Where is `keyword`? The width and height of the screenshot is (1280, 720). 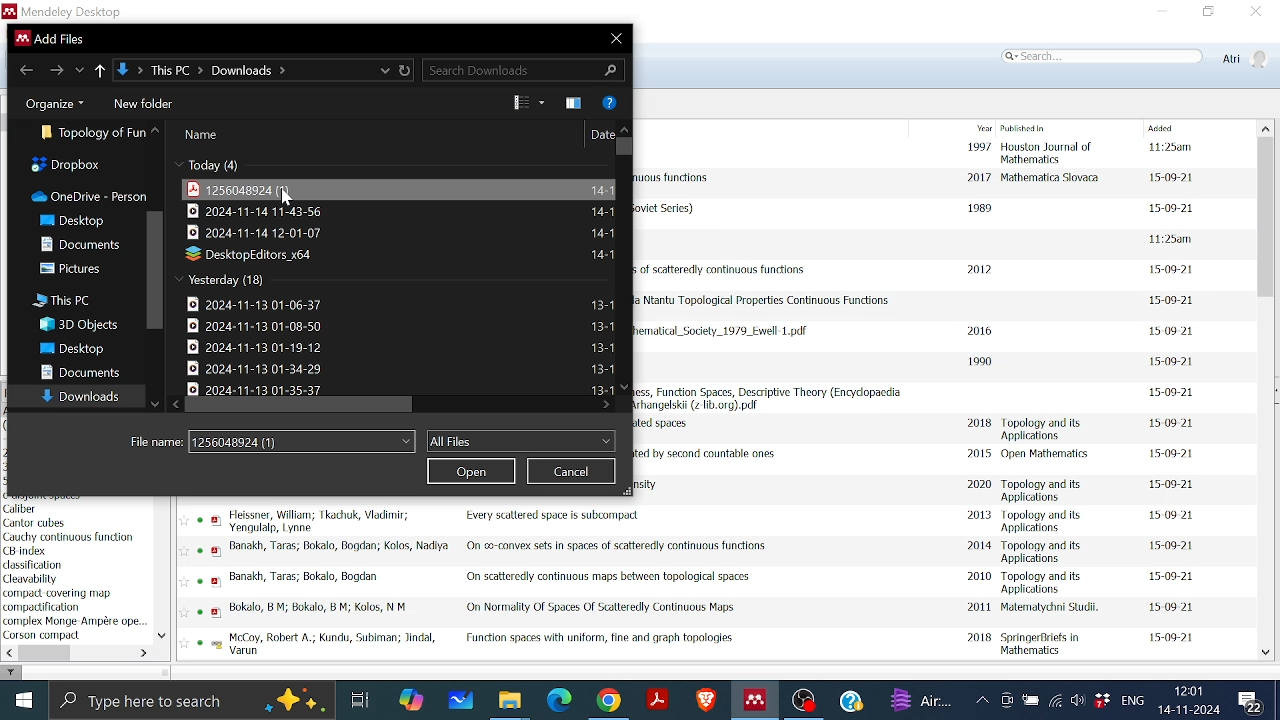 keyword is located at coordinates (27, 509).